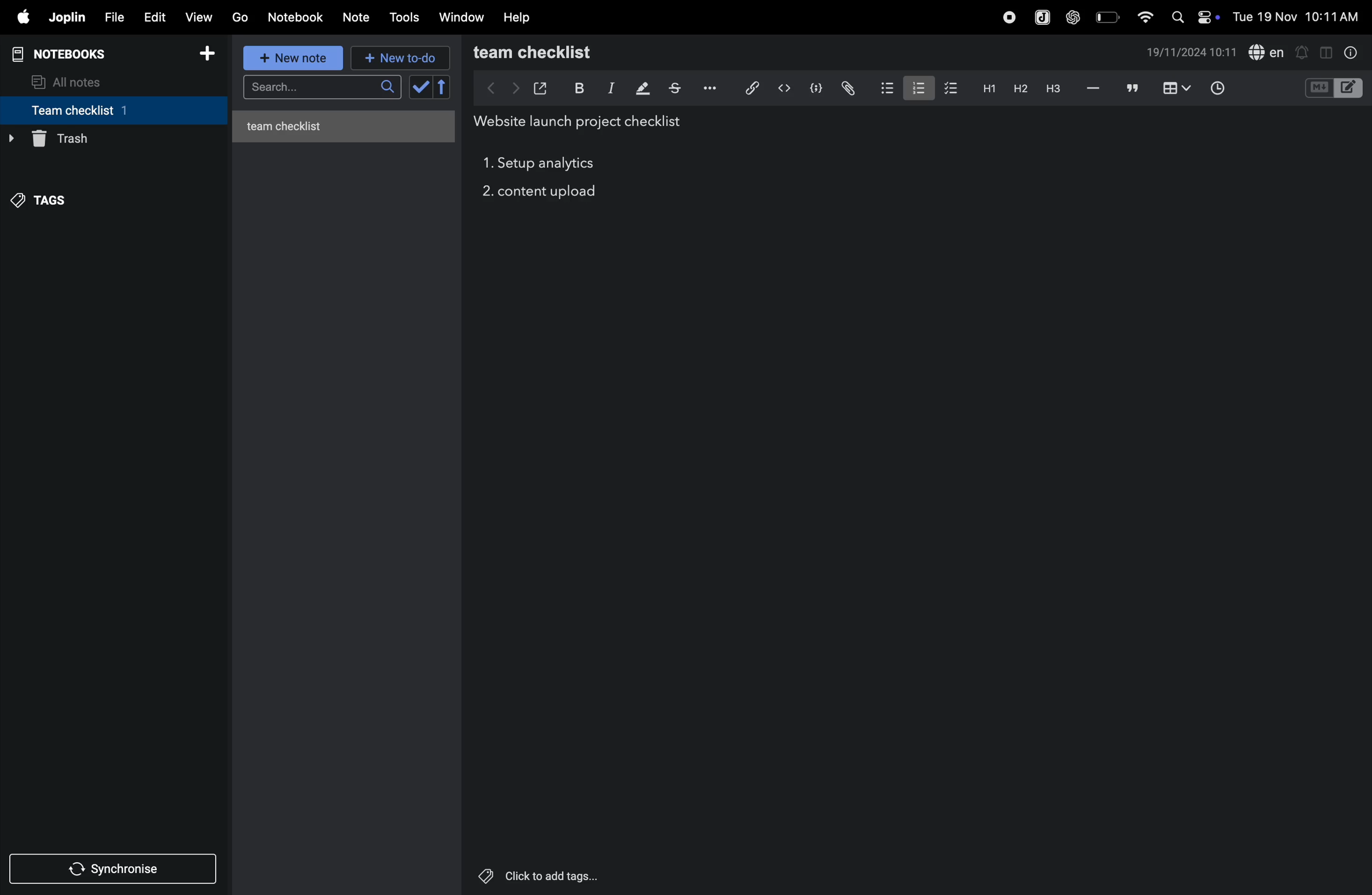 The height and width of the screenshot is (895, 1372). What do you see at coordinates (1092, 88) in the screenshot?
I see `hifen` at bounding box center [1092, 88].